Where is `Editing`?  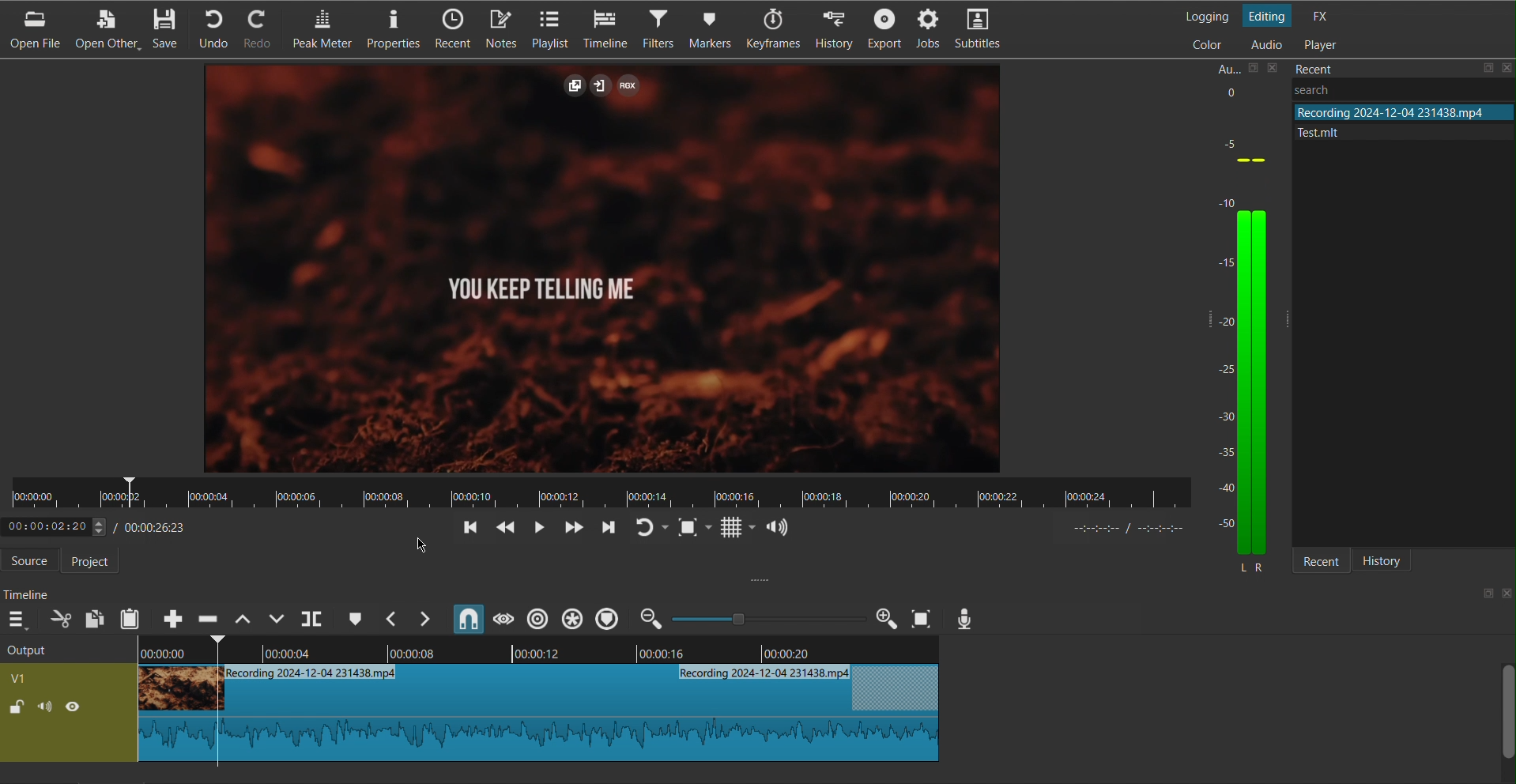 Editing is located at coordinates (1270, 14).